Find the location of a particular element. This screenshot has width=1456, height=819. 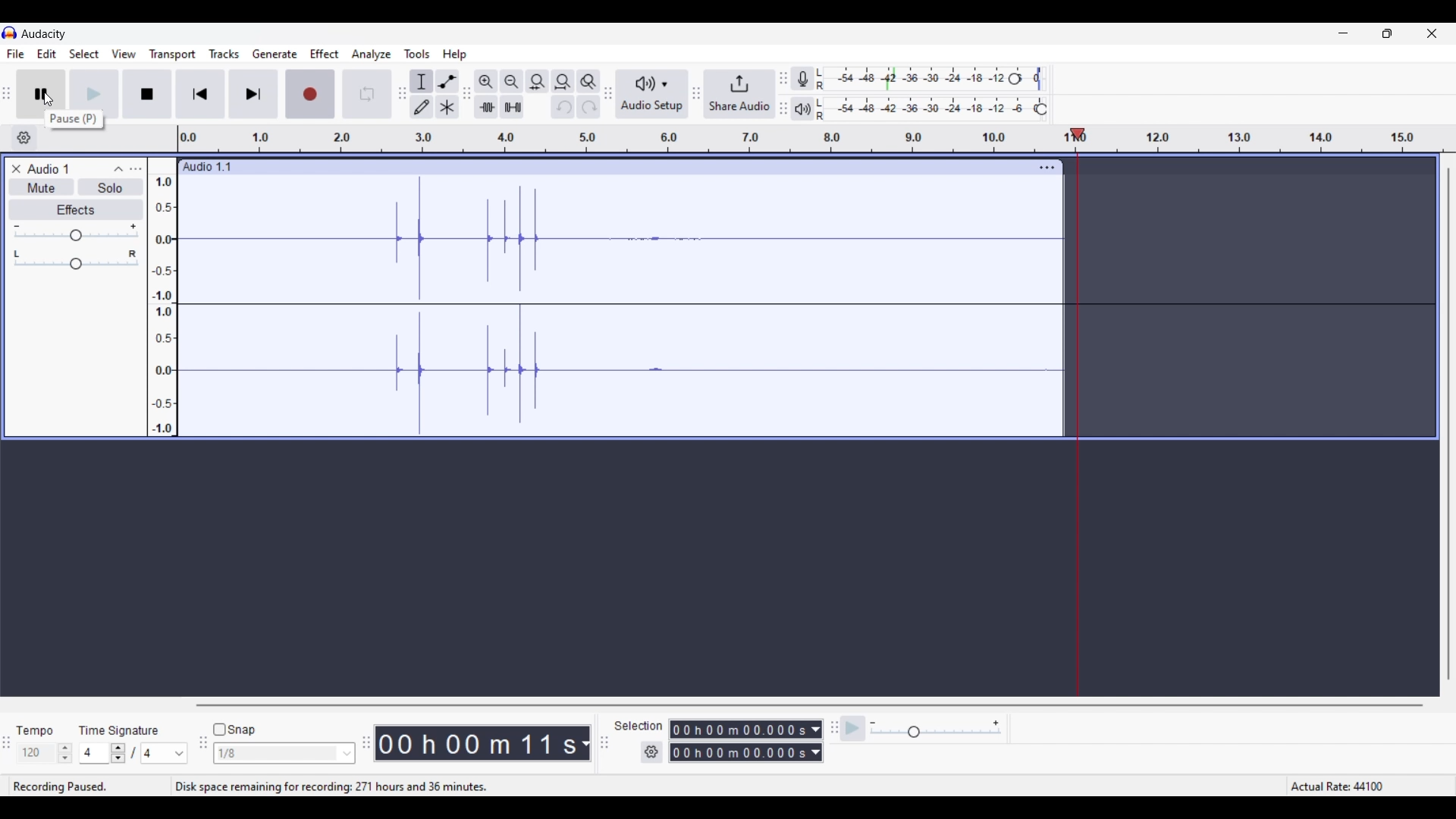

Scale to measure track intensity is located at coordinates (162, 297).